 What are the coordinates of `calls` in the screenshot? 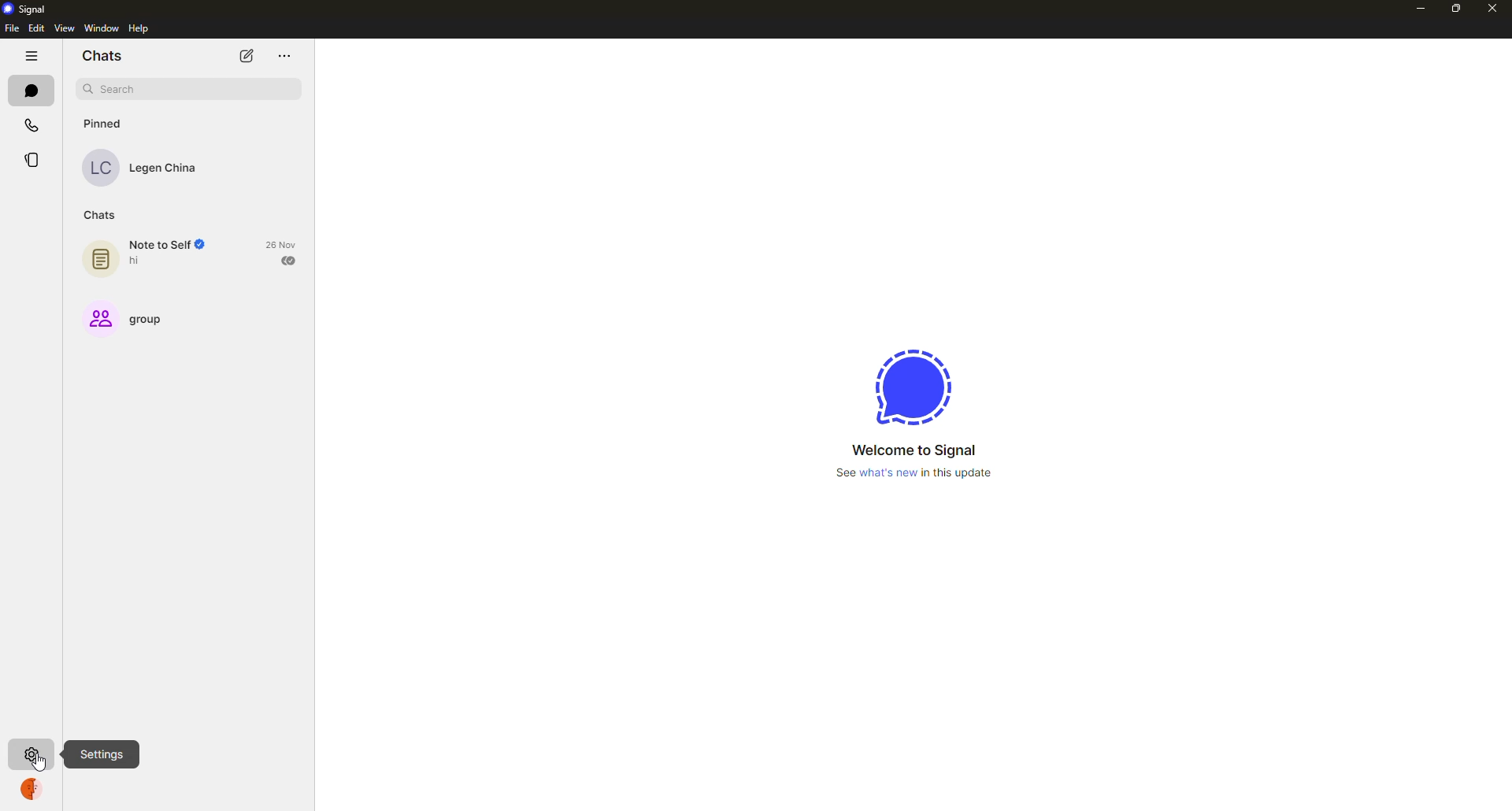 It's located at (33, 124).